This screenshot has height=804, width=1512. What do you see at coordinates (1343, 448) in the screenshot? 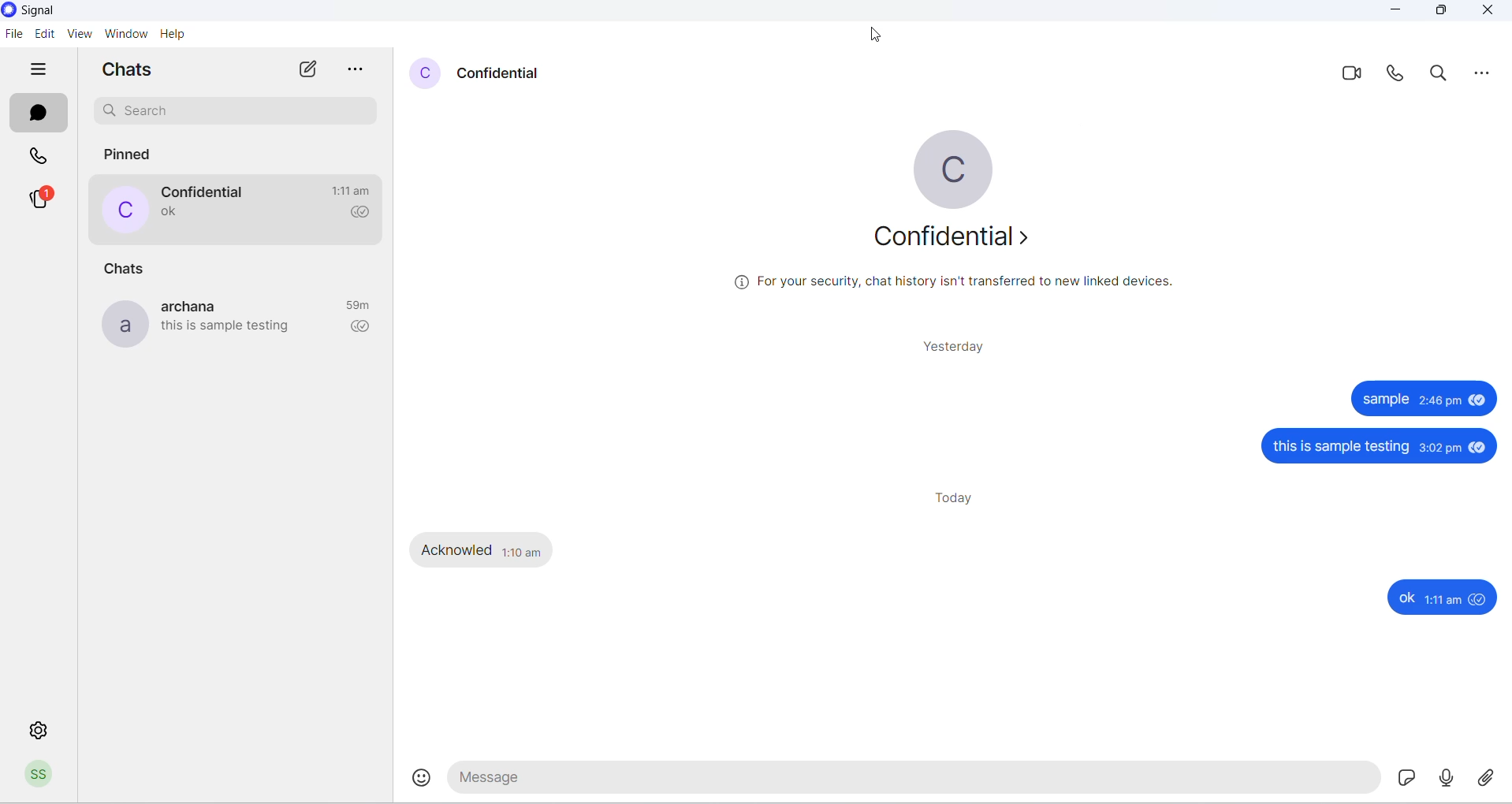
I see `this is sample testing` at bounding box center [1343, 448].